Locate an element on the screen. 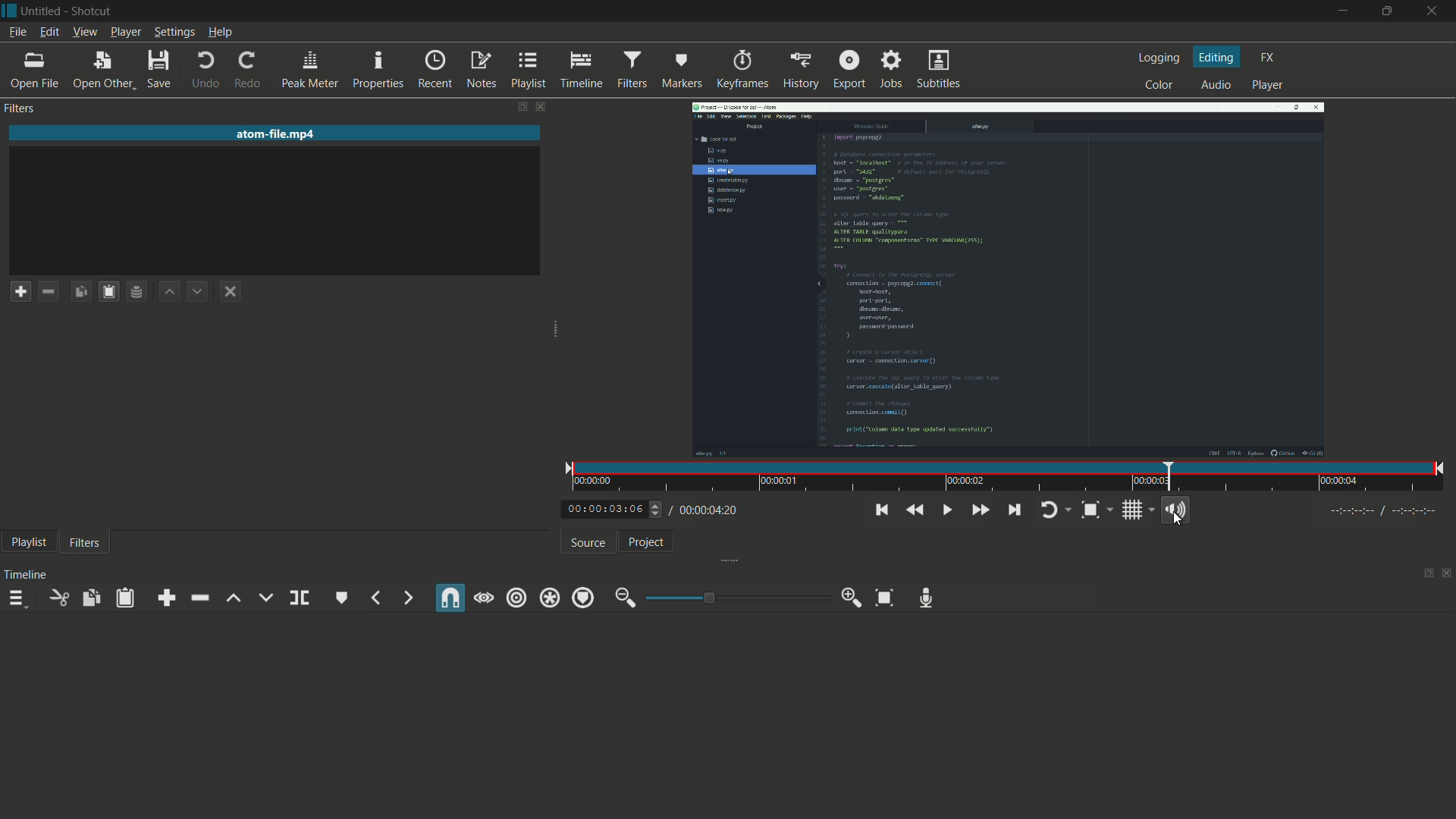 Image resolution: width=1456 pixels, height=819 pixels. delete ripple is located at coordinates (197, 598).